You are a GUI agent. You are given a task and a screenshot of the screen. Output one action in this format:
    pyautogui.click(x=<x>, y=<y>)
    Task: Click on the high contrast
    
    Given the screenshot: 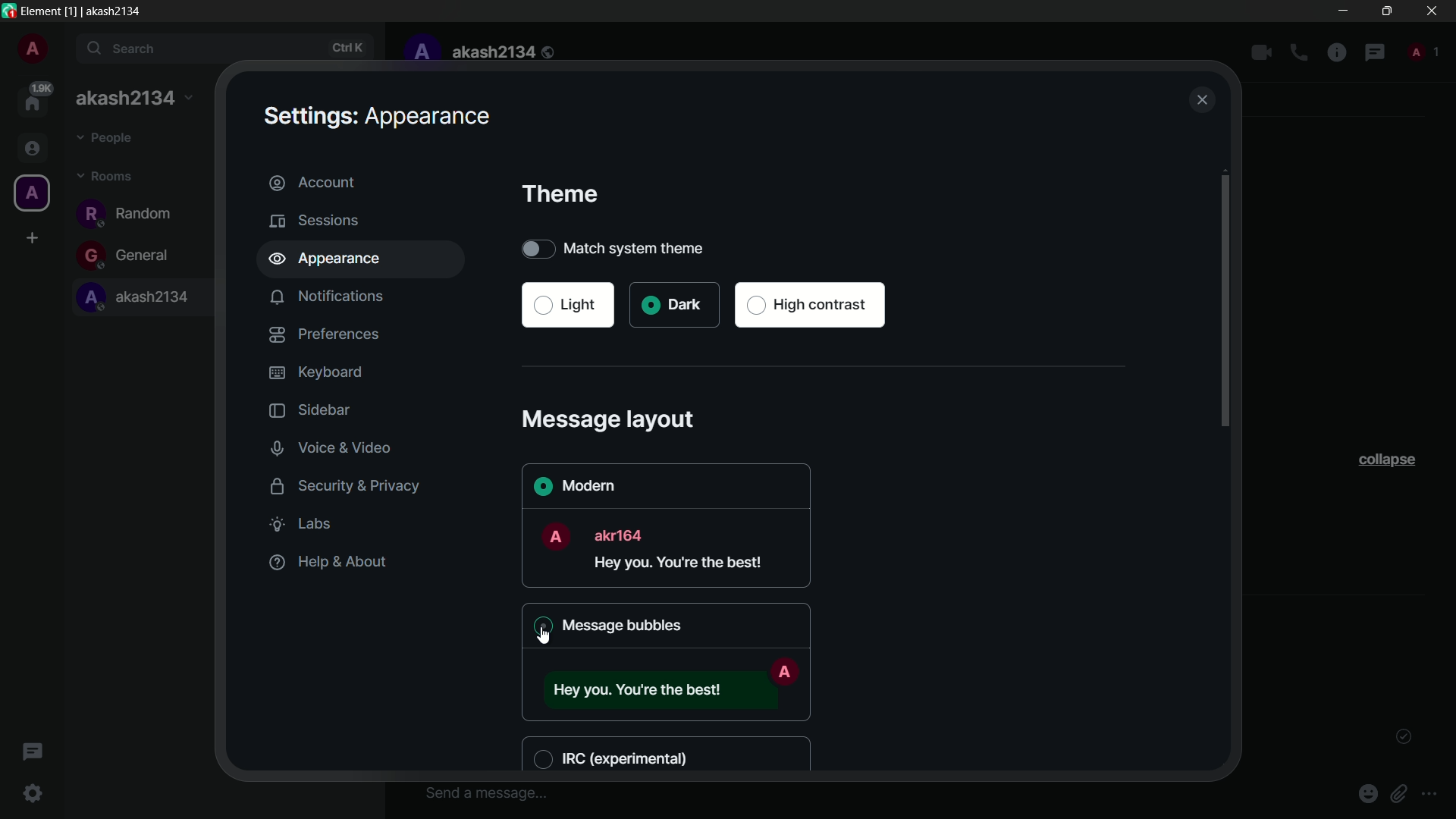 What is the action you would take?
    pyautogui.click(x=811, y=306)
    